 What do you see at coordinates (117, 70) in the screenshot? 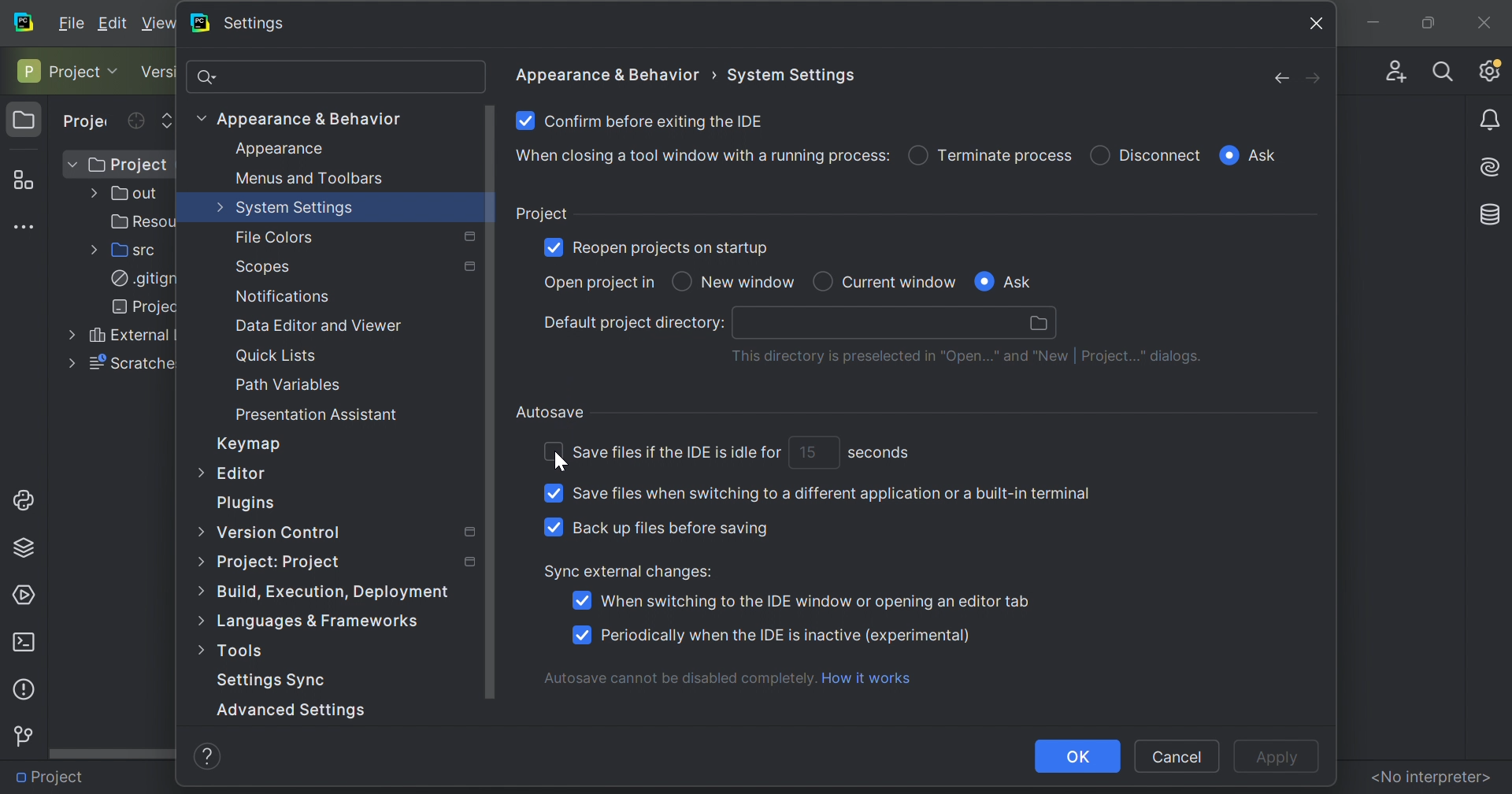
I see `Drop Down` at bounding box center [117, 70].